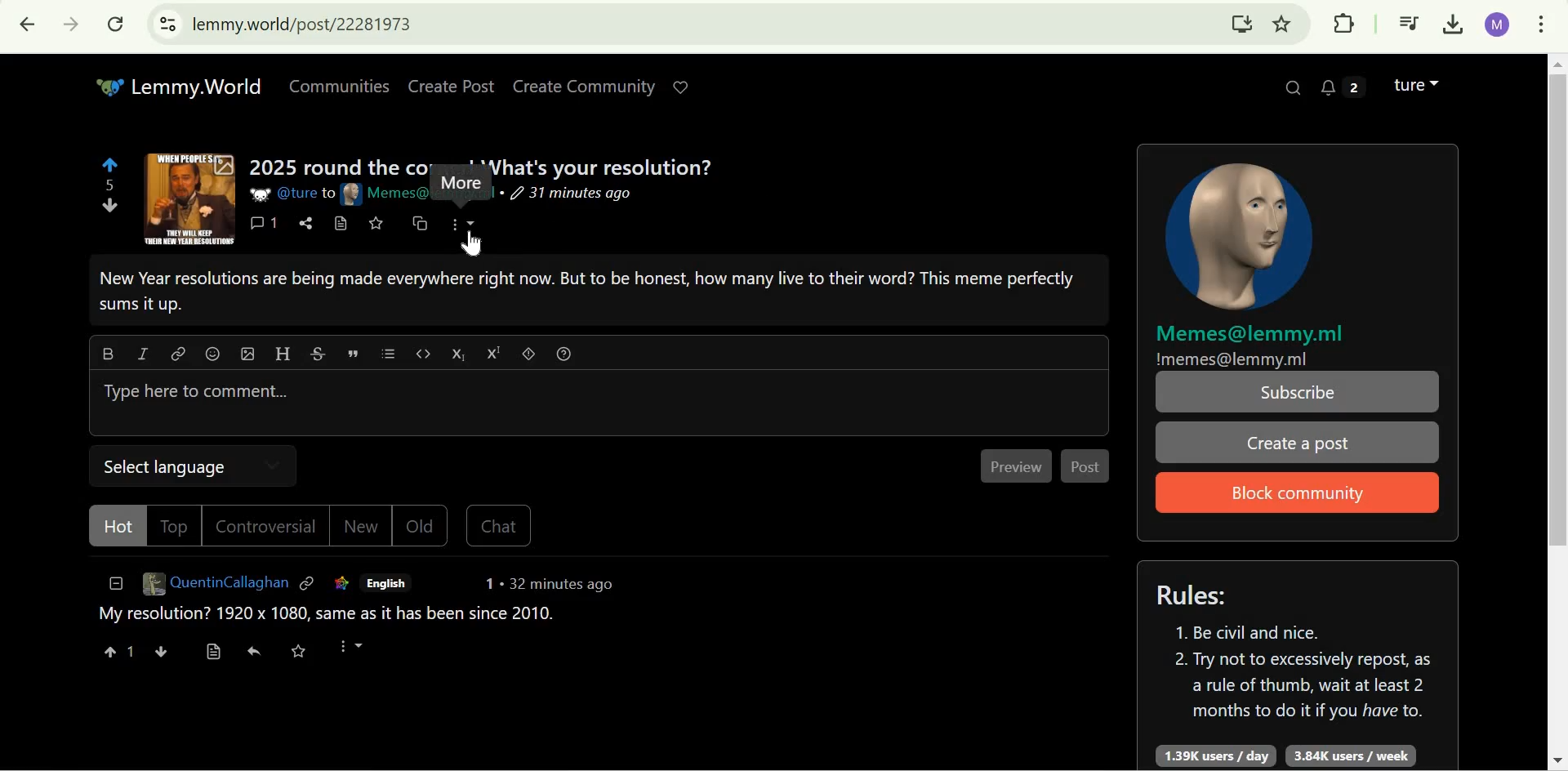  Describe the element at coordinates (1343, 84) in the screenshot. I see `2 unread messages` at that location.